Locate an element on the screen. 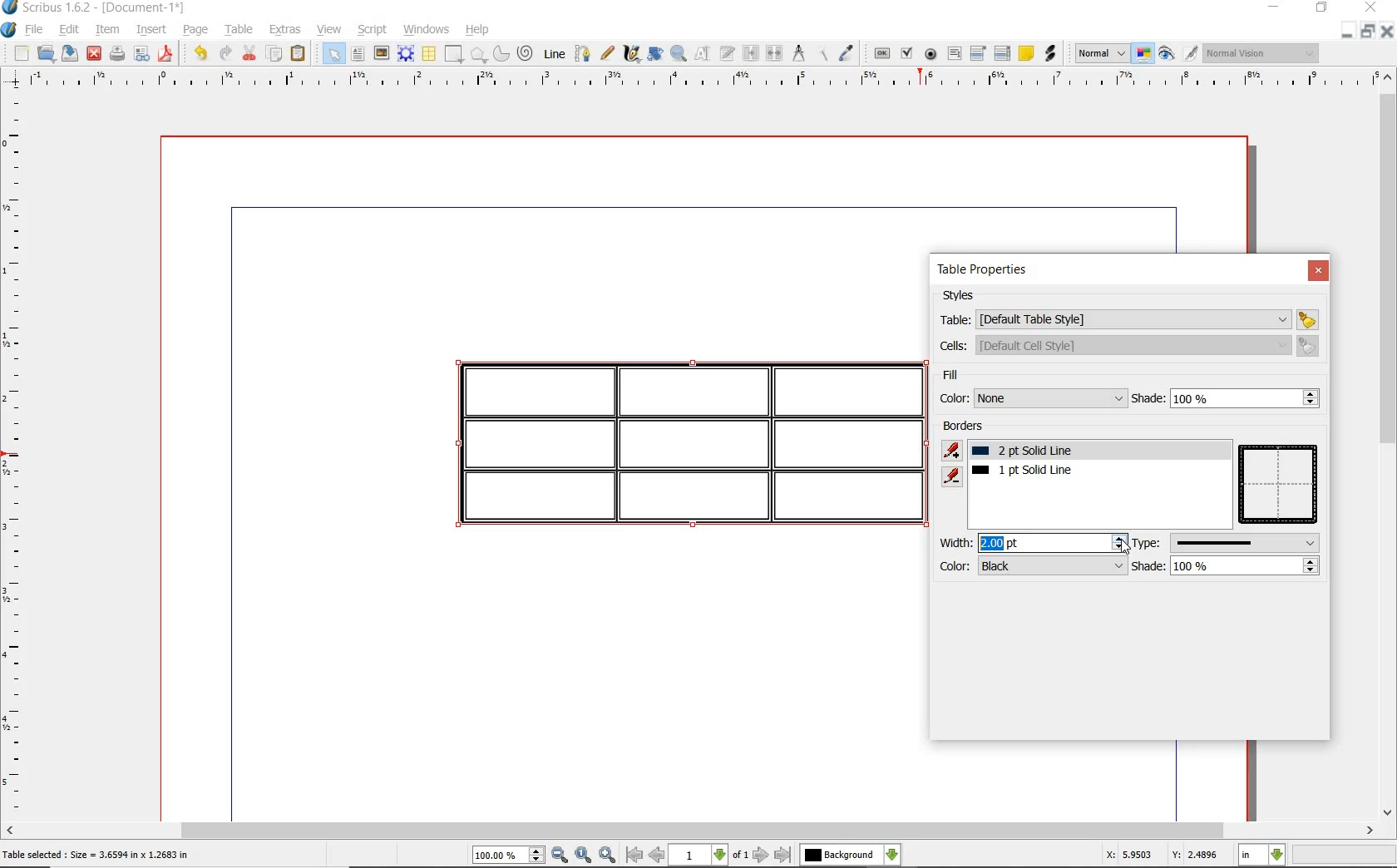 The width and height of the screenshot is (1397, 868). border added is located at coordinates (694, 446).